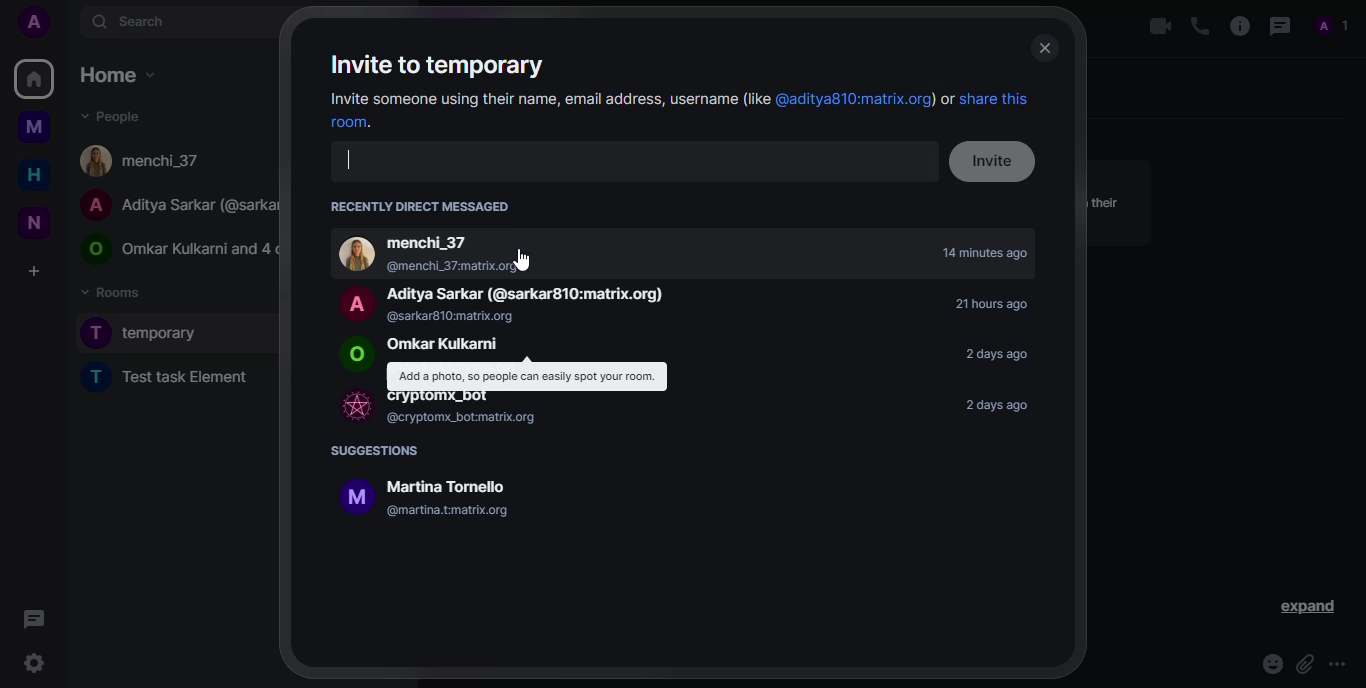 The height and width of the screenshot is (688, 1366). Describe the element at coordinates (151, 333) in the screenshot. I see `room created` at that location.